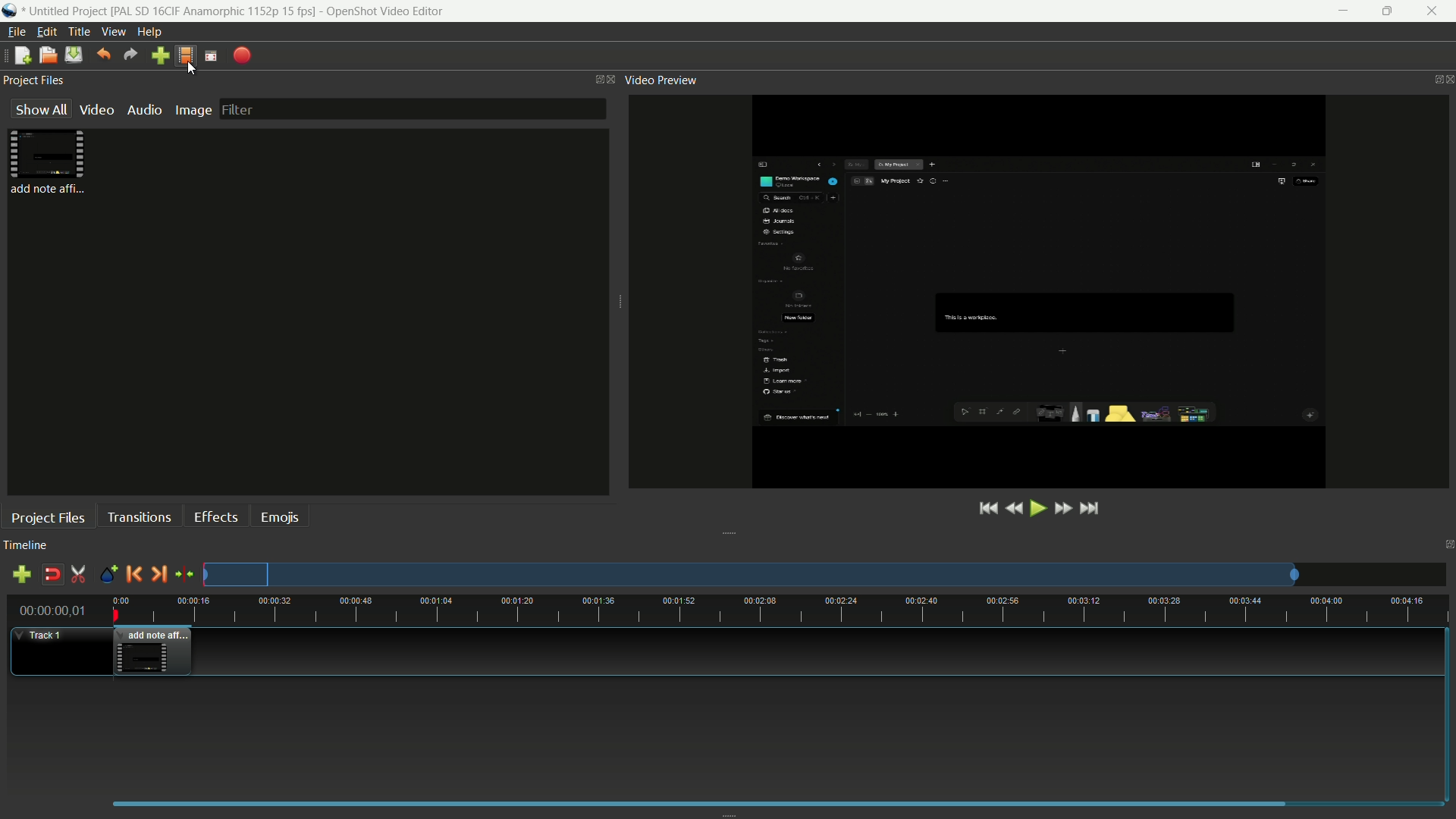 The height and width of the screenshot is (819, 1456). I want to click on file in project, so click(44, 162).